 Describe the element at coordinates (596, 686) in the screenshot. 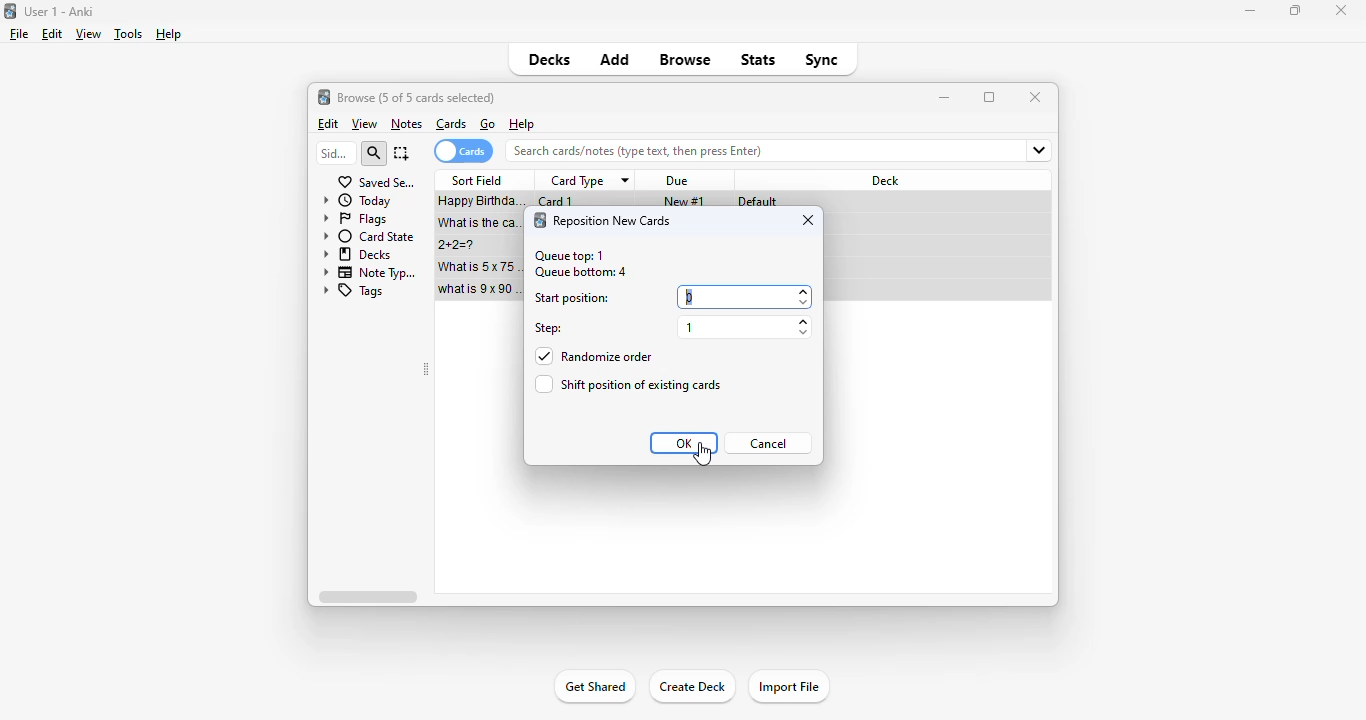

I see `get shared` at that location.